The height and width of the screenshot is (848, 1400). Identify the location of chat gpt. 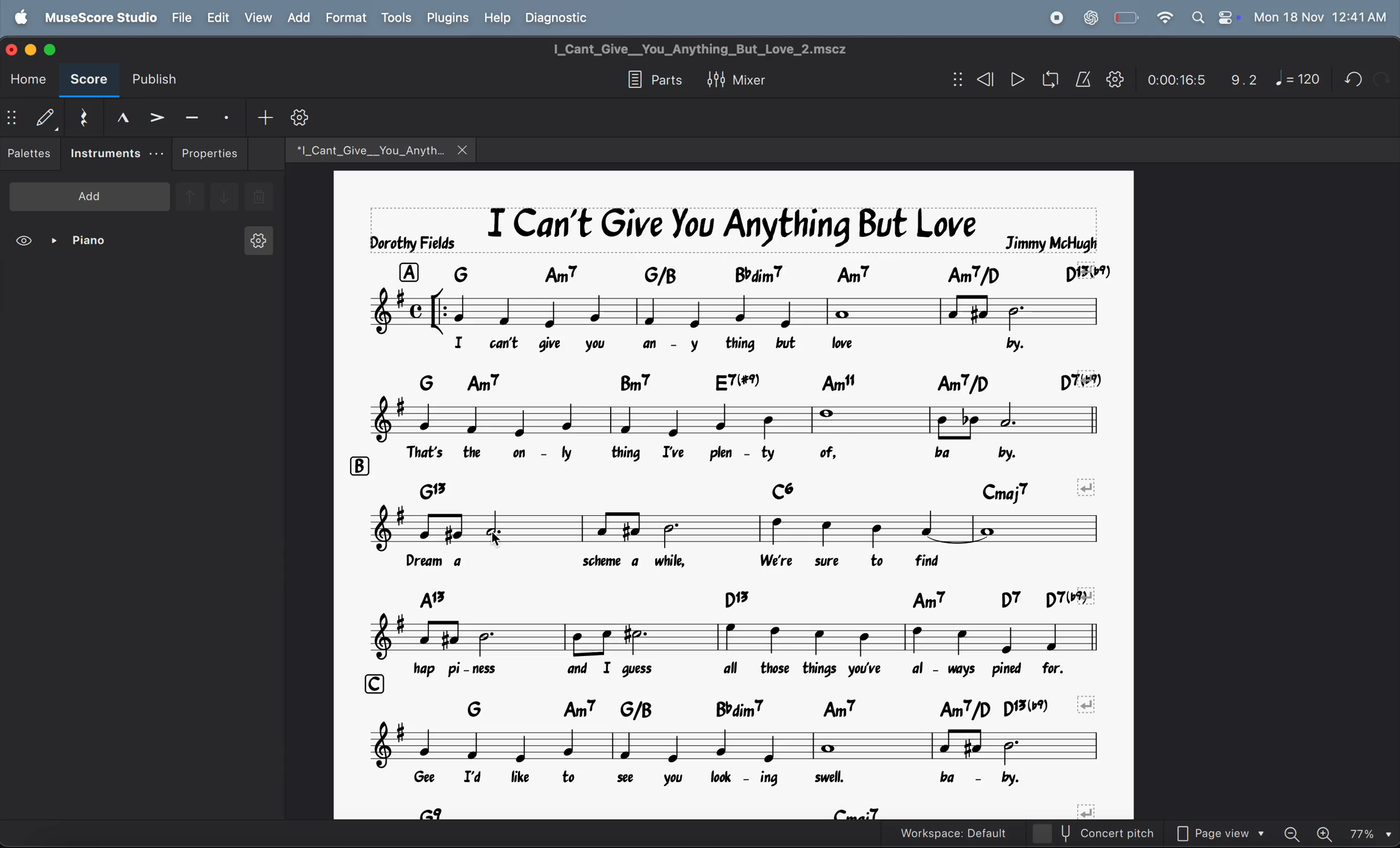
(1088, 16).